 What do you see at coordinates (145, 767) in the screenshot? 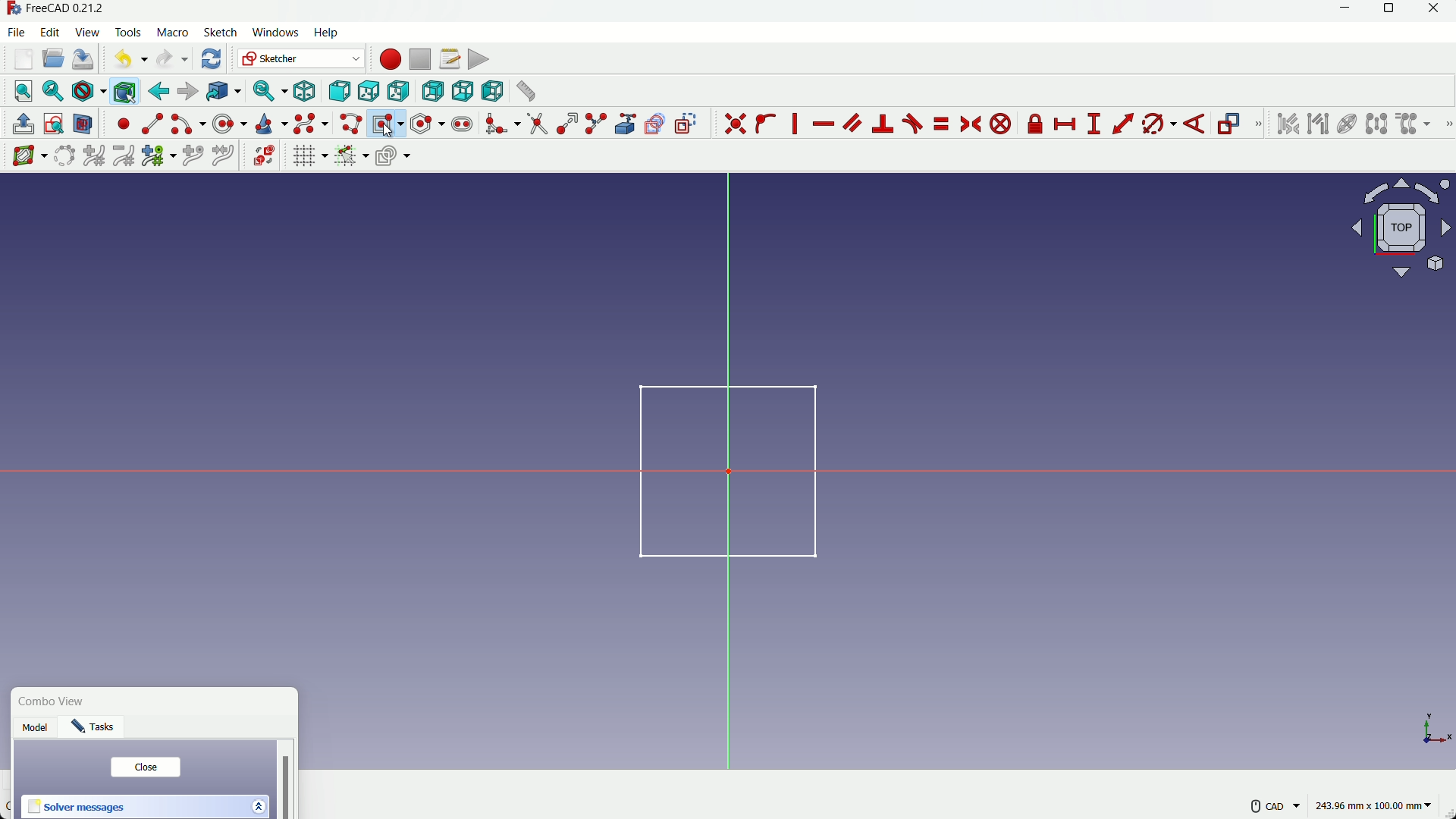
I see `close` at bounding box center [145, 767].